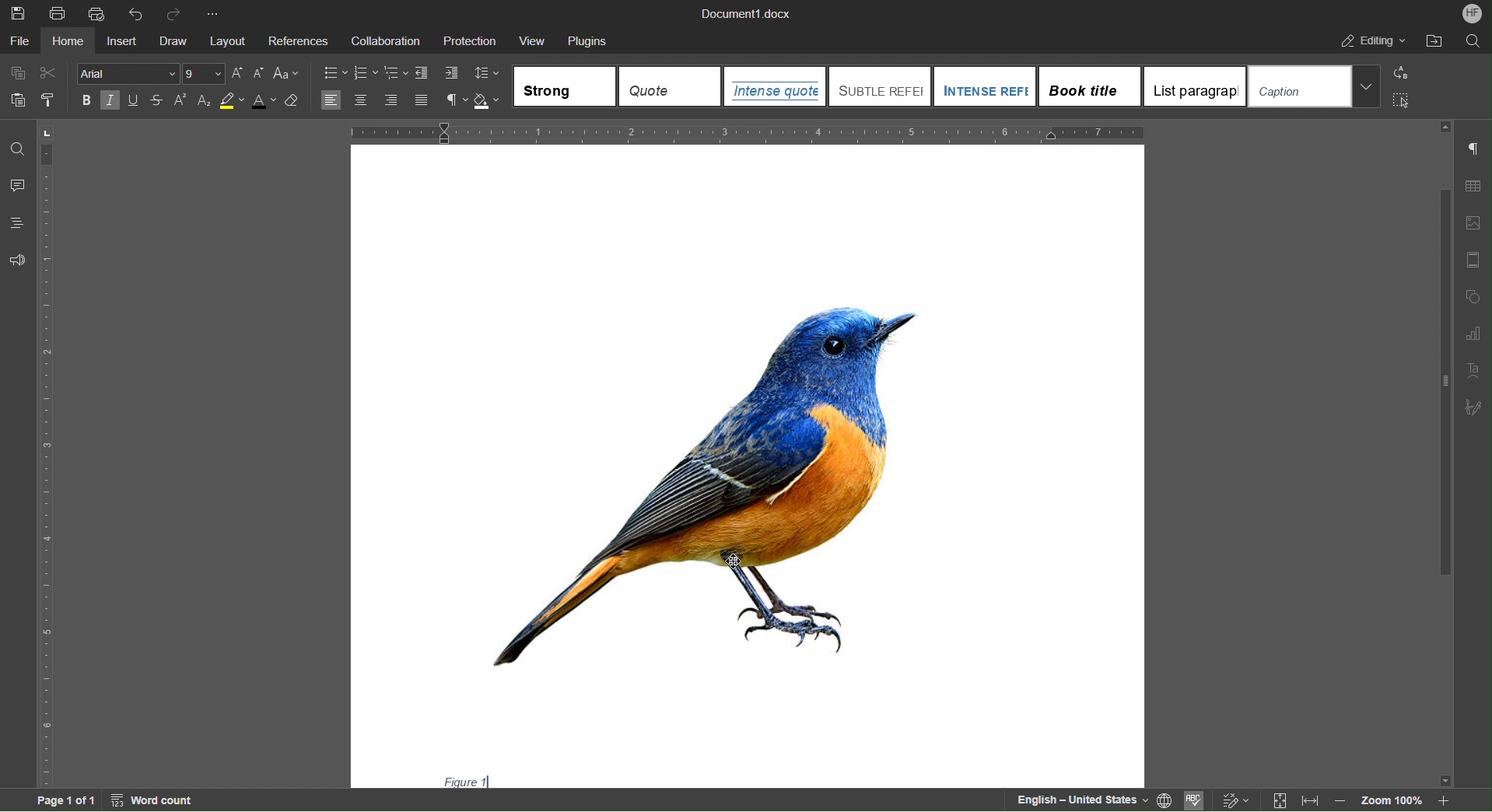  Describe the element at coordinates (22, 43) in the screenshot. I see `File` at that location.